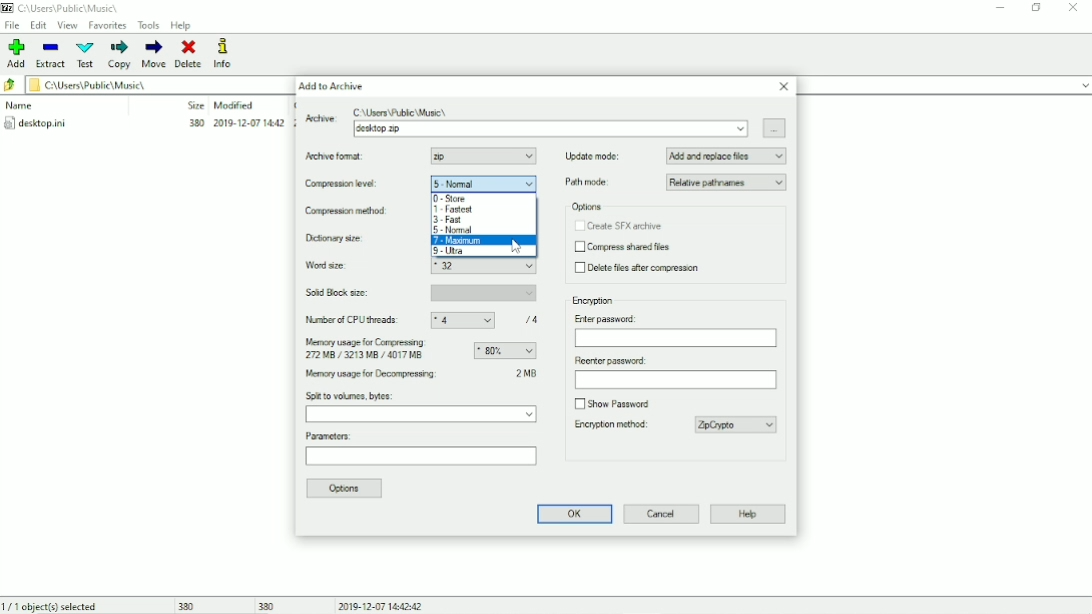 This screenshot has height=614, width=1092. What do you see at coordinates (674, 330) in the screenshot?
I see `Enter password` at bounding box center [674, 330].